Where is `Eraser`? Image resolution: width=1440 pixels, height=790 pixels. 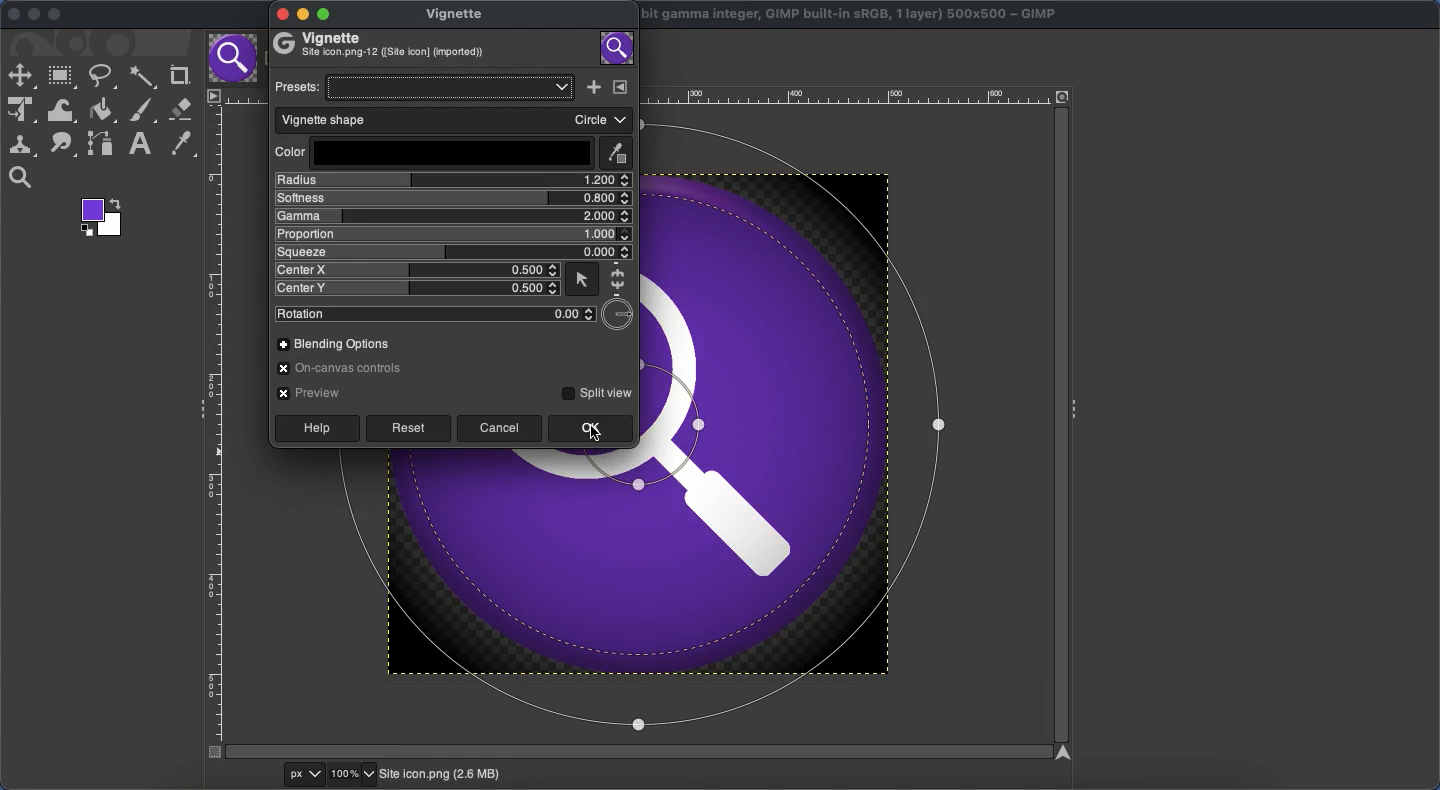
Eraser is located at coordinates (181, 110).